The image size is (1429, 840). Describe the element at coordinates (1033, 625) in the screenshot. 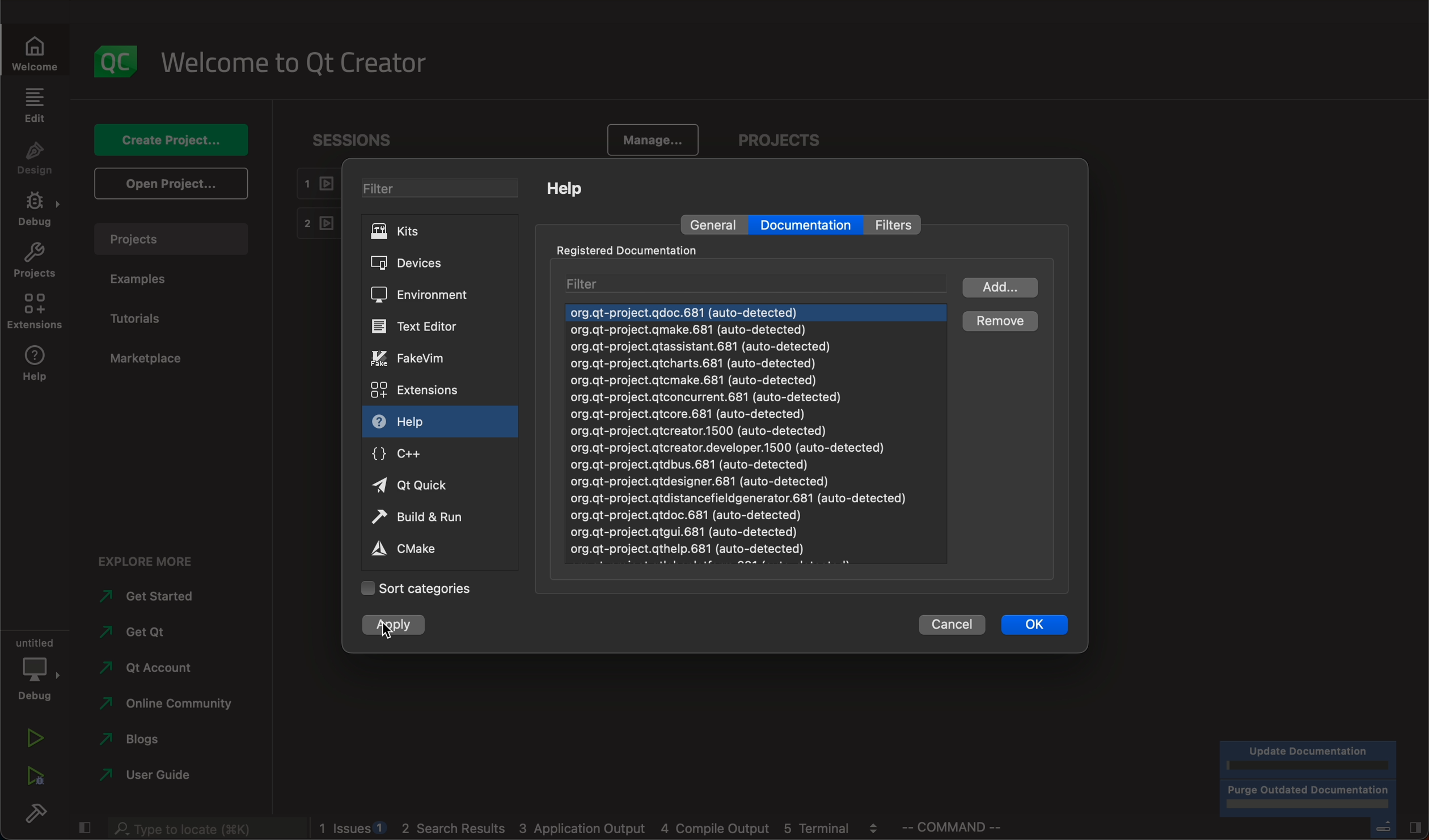

I see `ok` at that location.